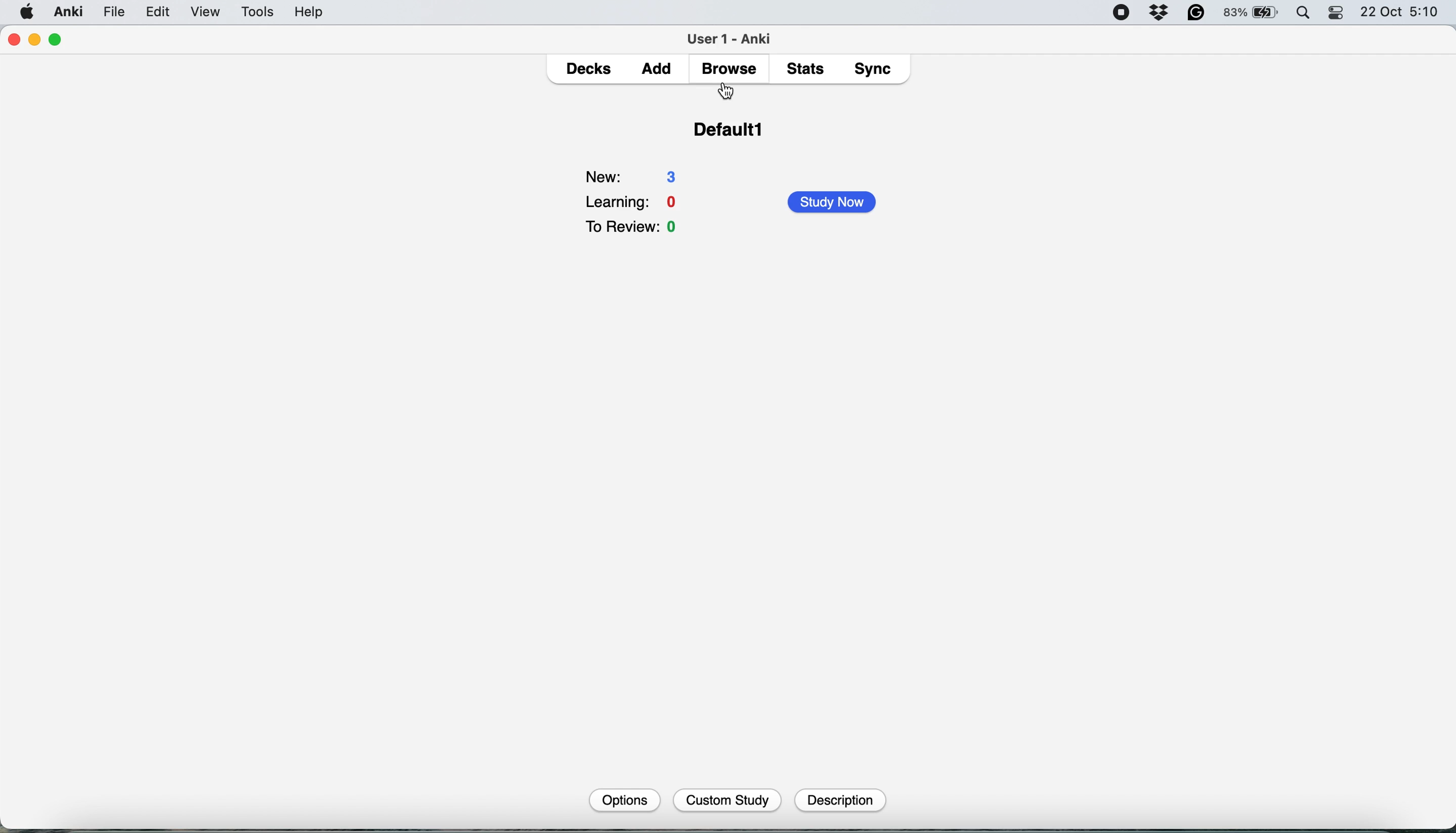 The height and width of the screenshot is (833, 1456). I want to click on file, so click(114, 12).